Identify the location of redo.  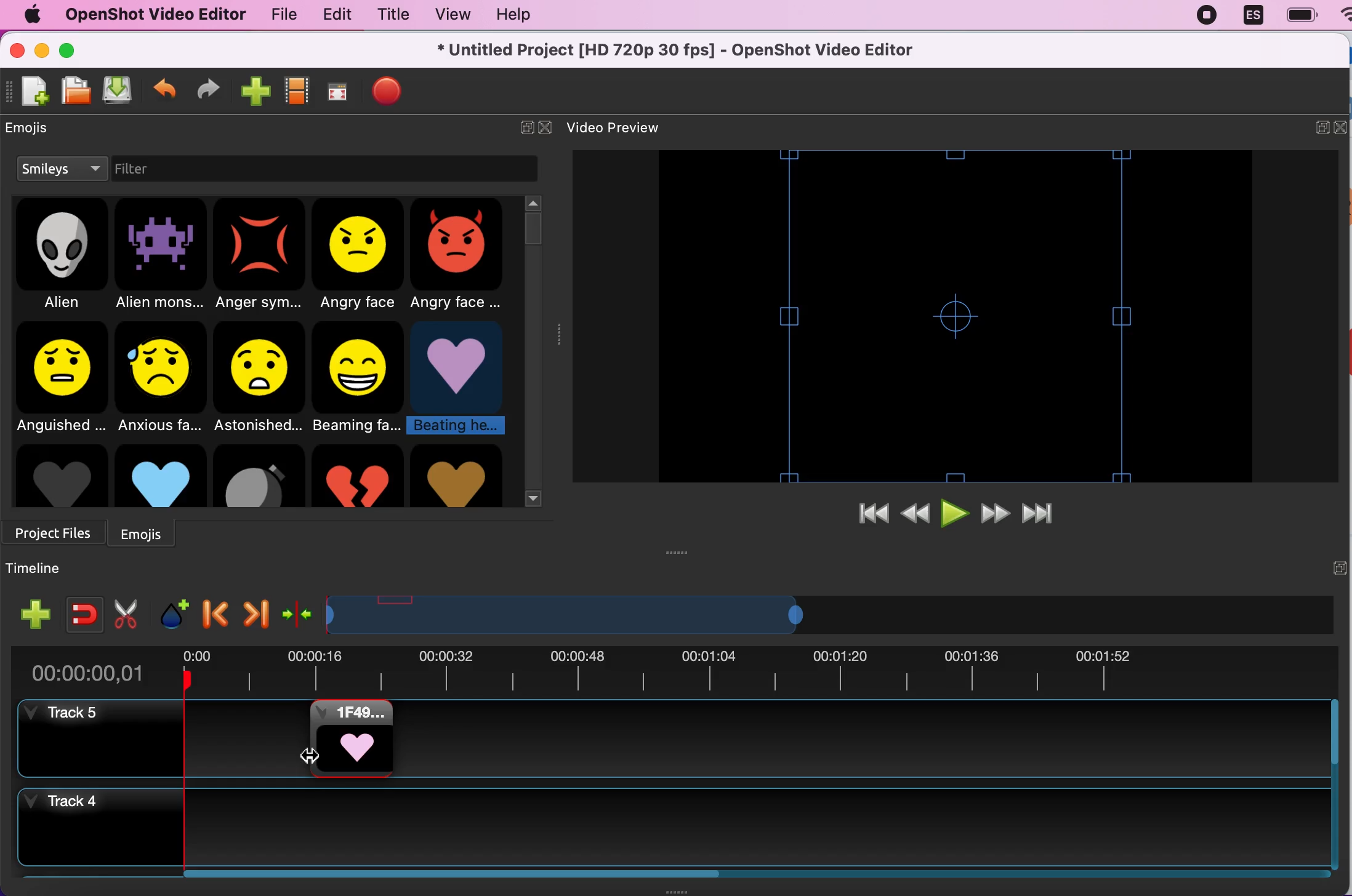
(209, 89).